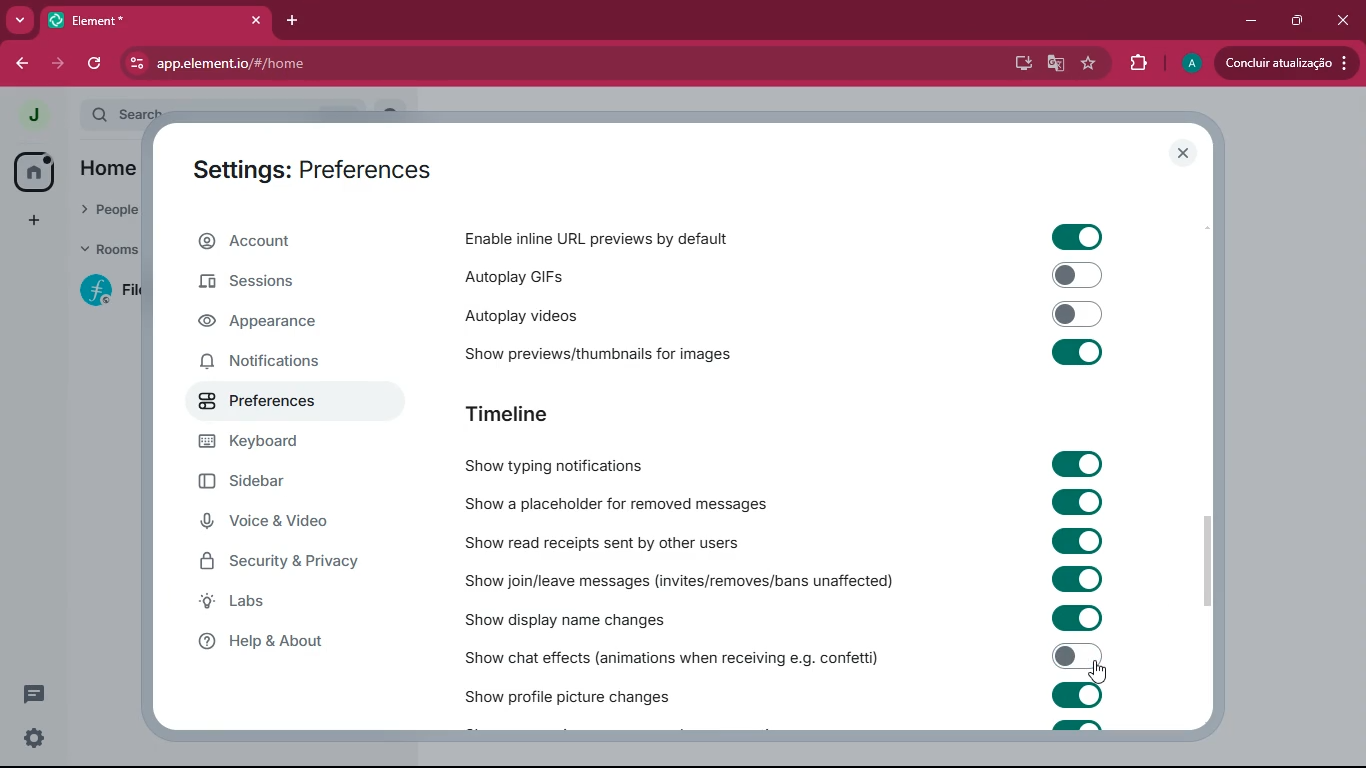 This screenshot has width=1366, height=768. I want to click on voice & video, so click(280, 524).